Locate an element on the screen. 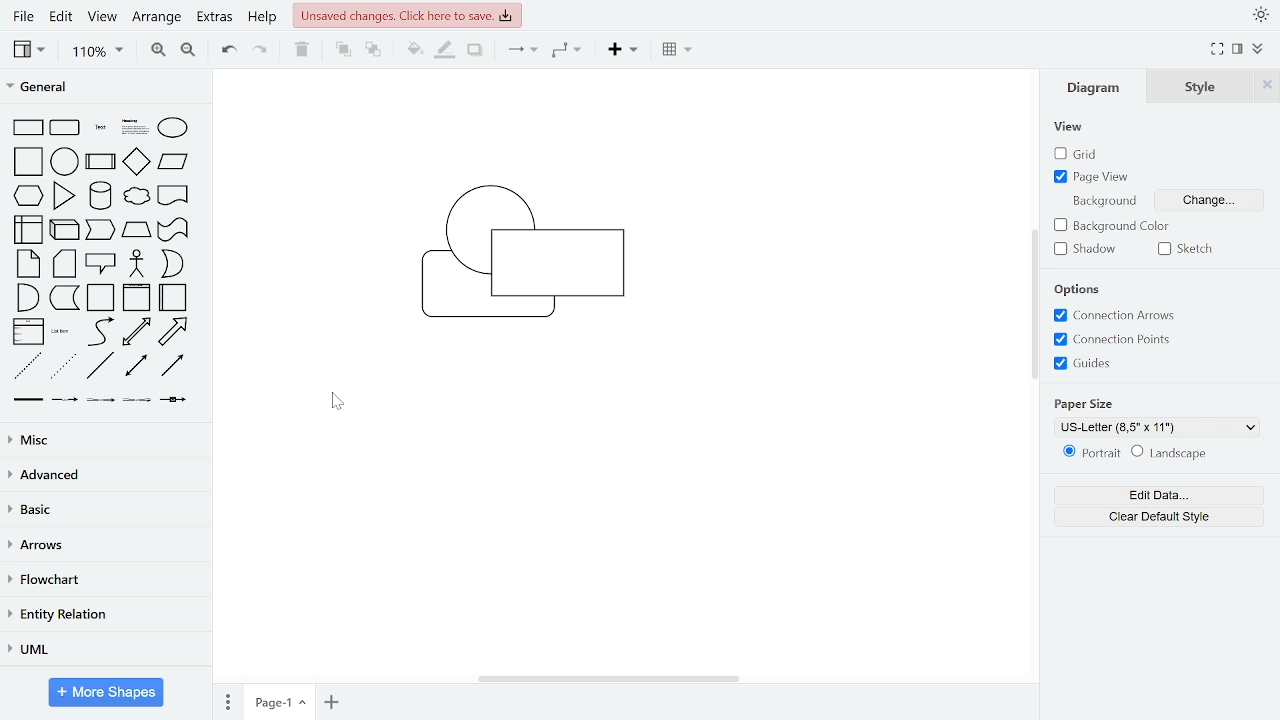 This screenshot has height=720, width=1280. paper size is located at coordinates (1078, 404).